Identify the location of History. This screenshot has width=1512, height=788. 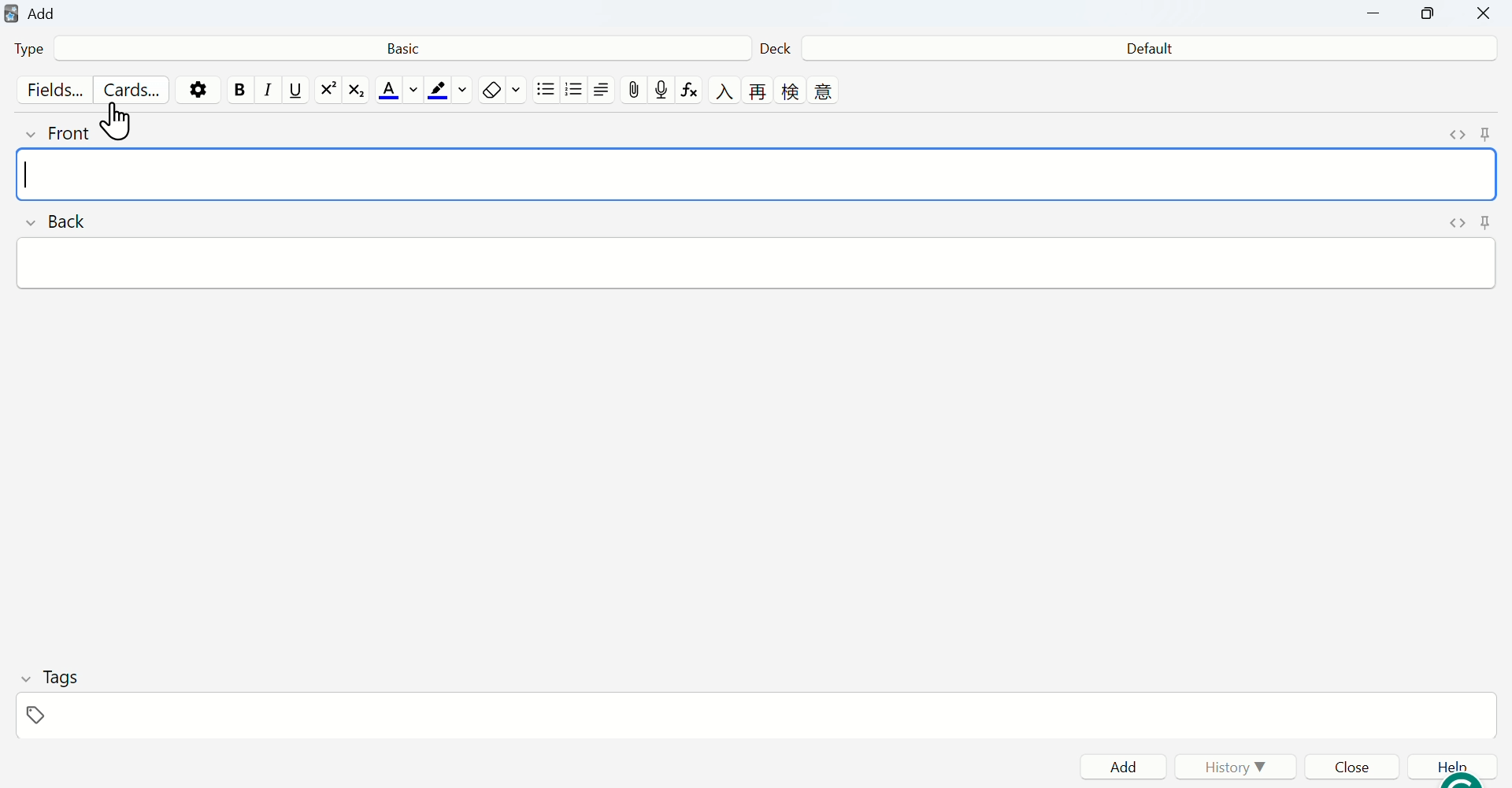
(1234, 767).